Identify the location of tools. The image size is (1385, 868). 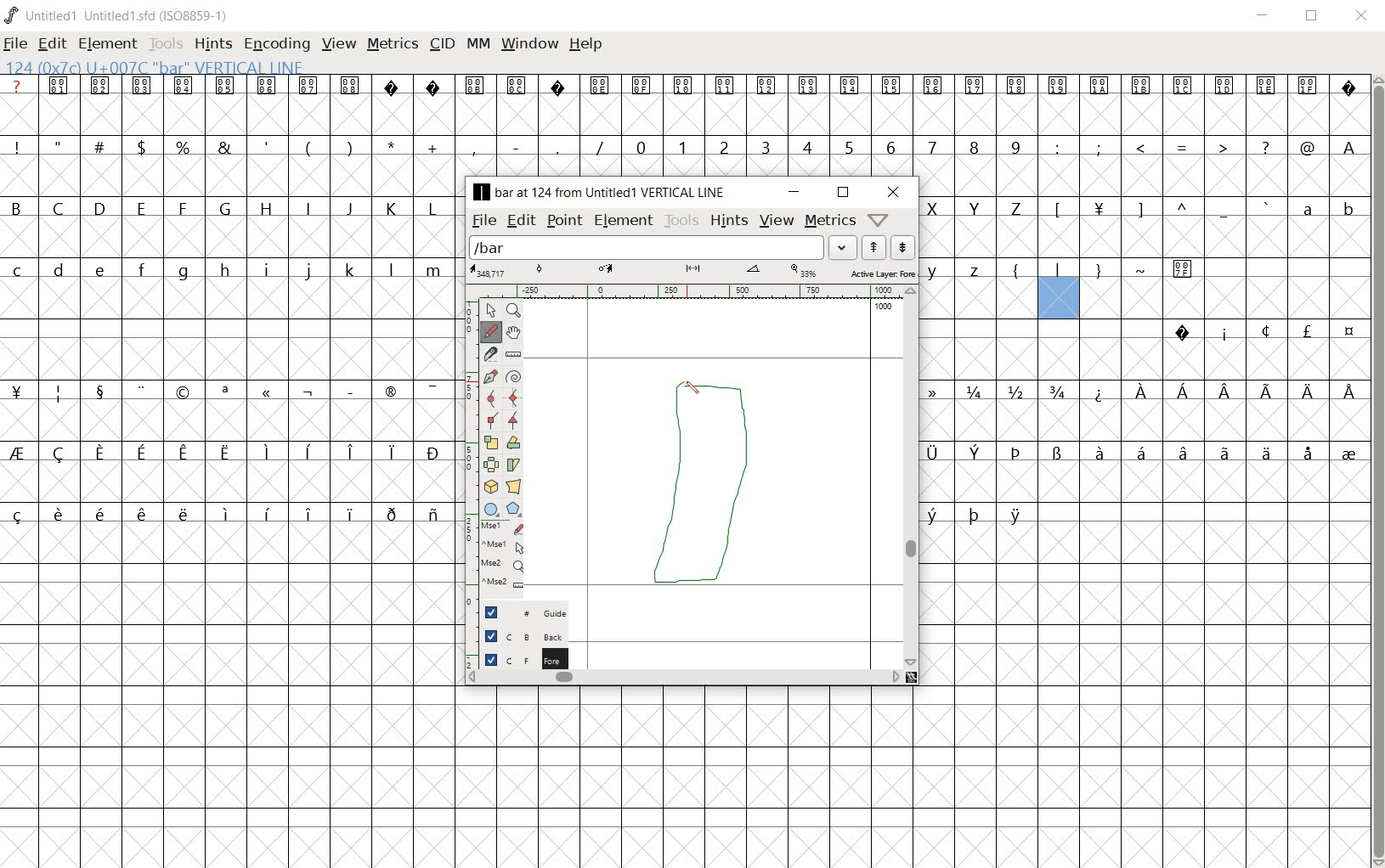
(166, 42).